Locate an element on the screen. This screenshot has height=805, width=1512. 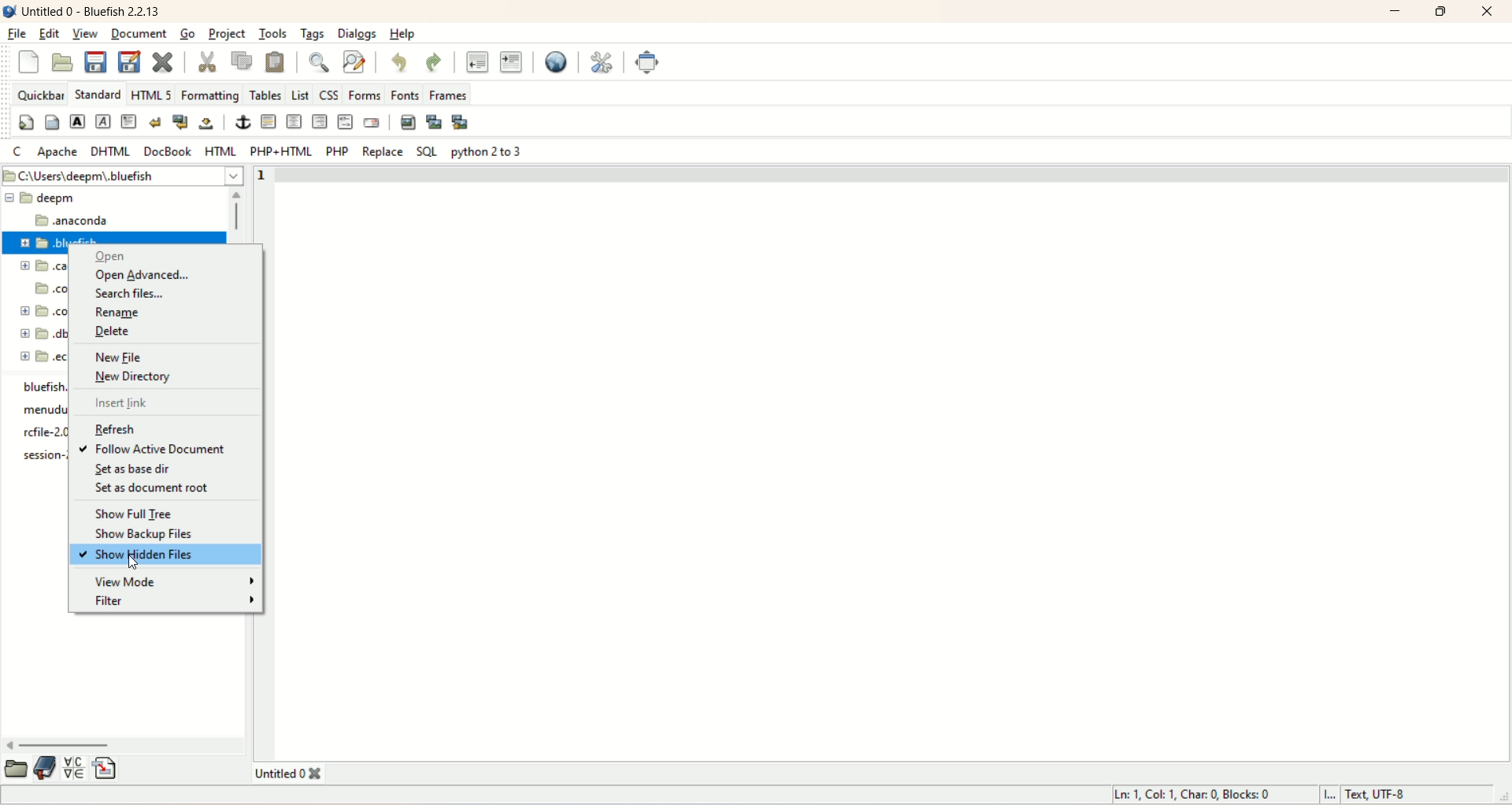
preview in browser is located at coordinates (557, 62).